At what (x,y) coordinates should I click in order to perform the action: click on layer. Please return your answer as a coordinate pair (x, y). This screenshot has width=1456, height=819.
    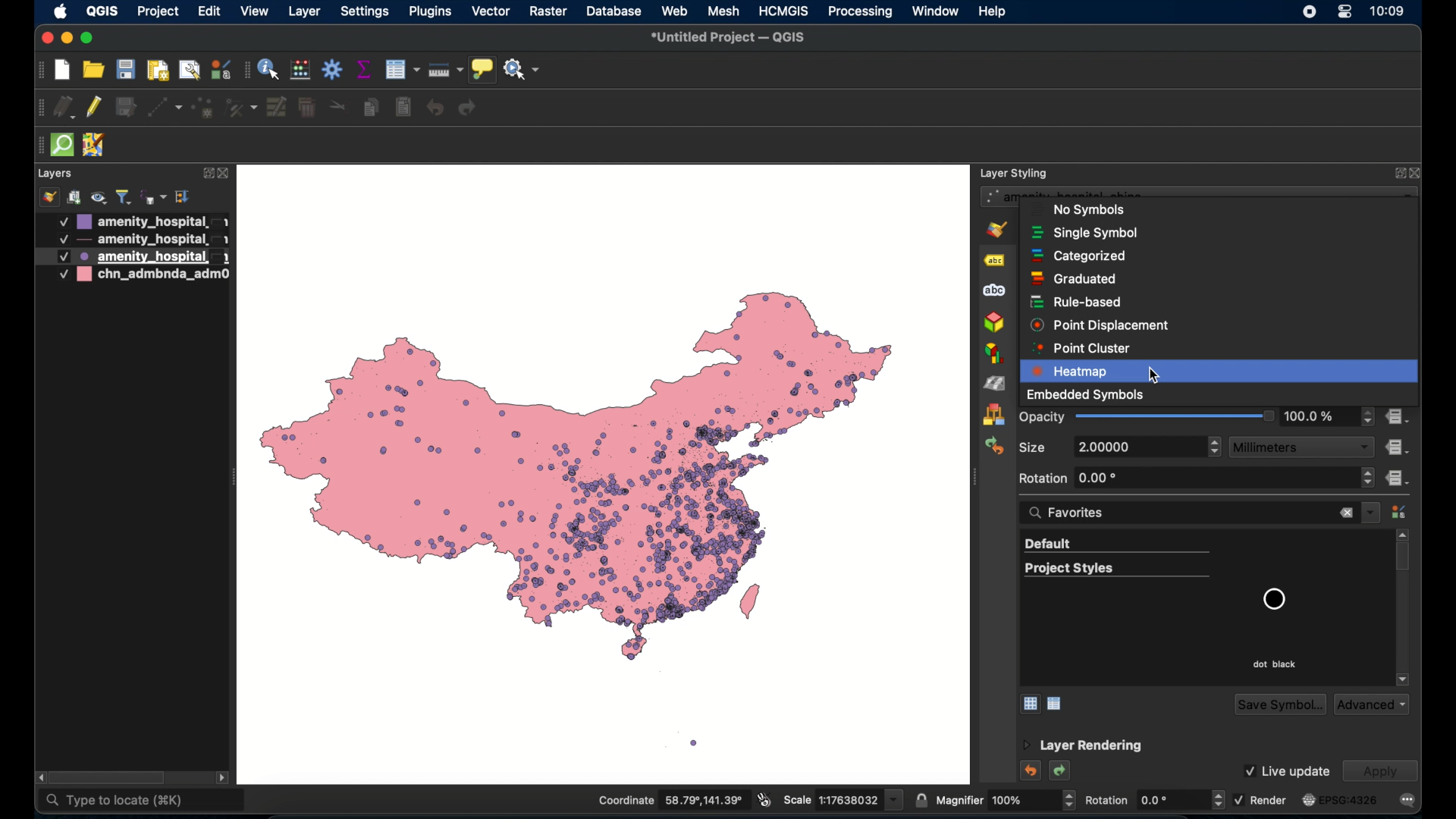
    Looking at the image, I should click on (303, 11).